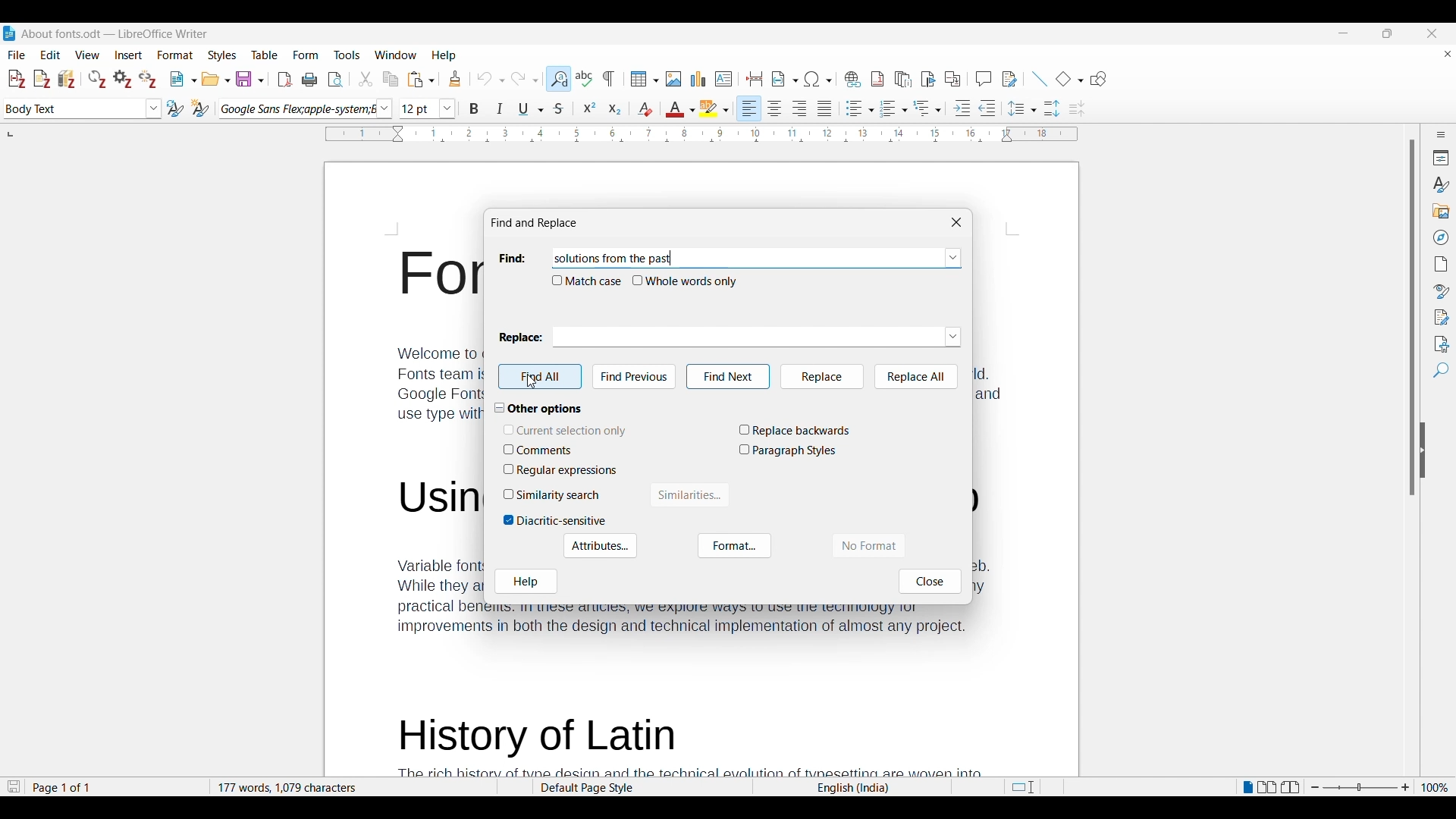 The height and width of the screenshot is (819, 1456). Describe the element at coordinates (540, 376) in the screenshot. I see `Find all highlighted due to selection` at that location.